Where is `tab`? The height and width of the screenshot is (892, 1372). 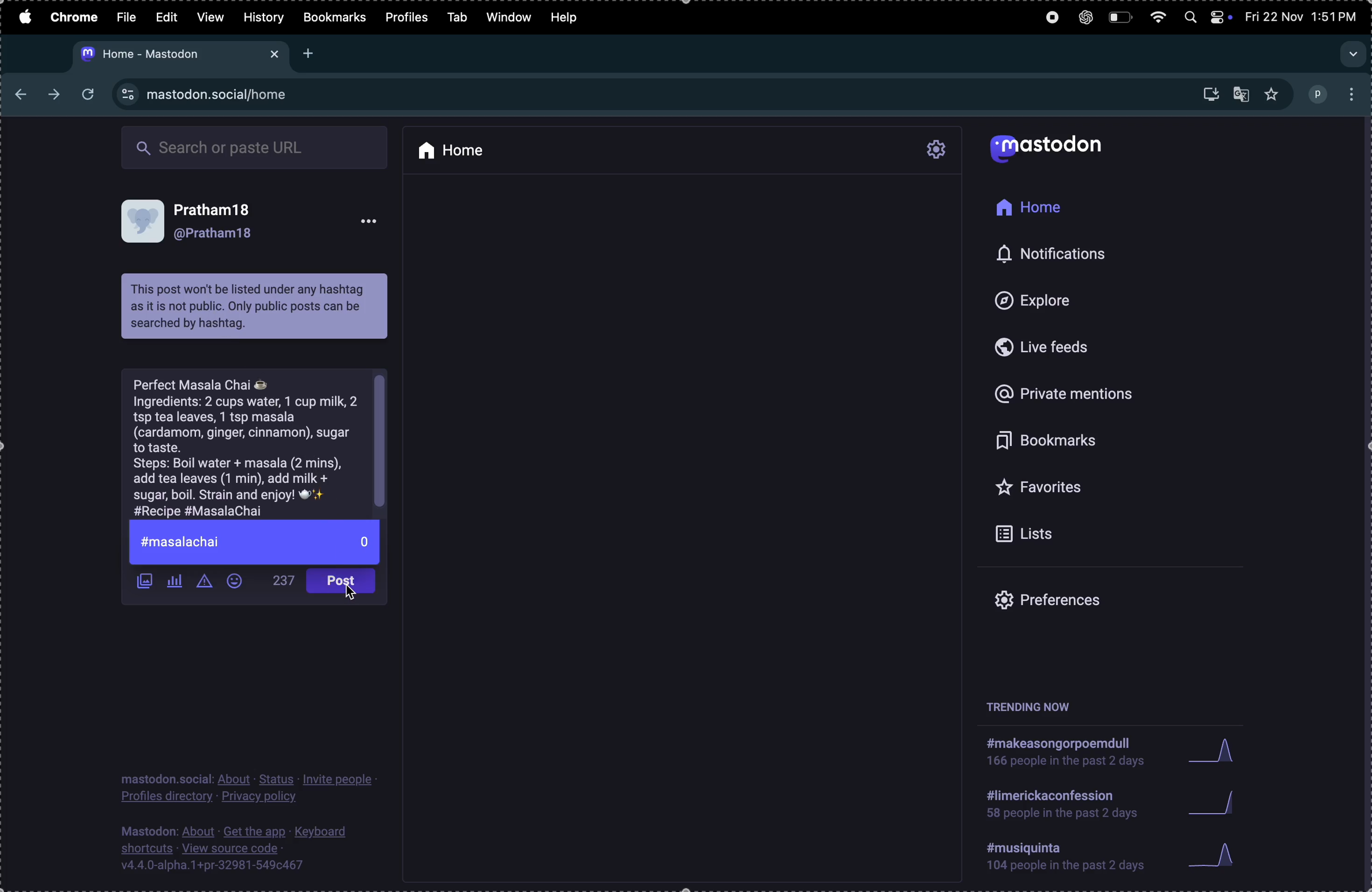
tab is located at coordinates (455, 17).